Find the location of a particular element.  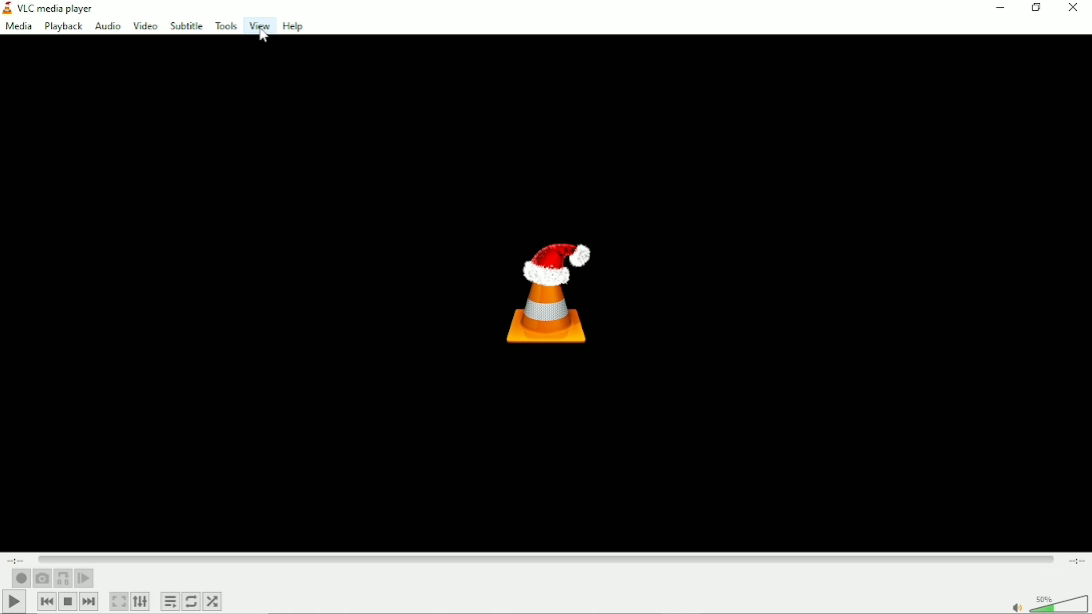

Total duration is located at coordinates (1076, 560).